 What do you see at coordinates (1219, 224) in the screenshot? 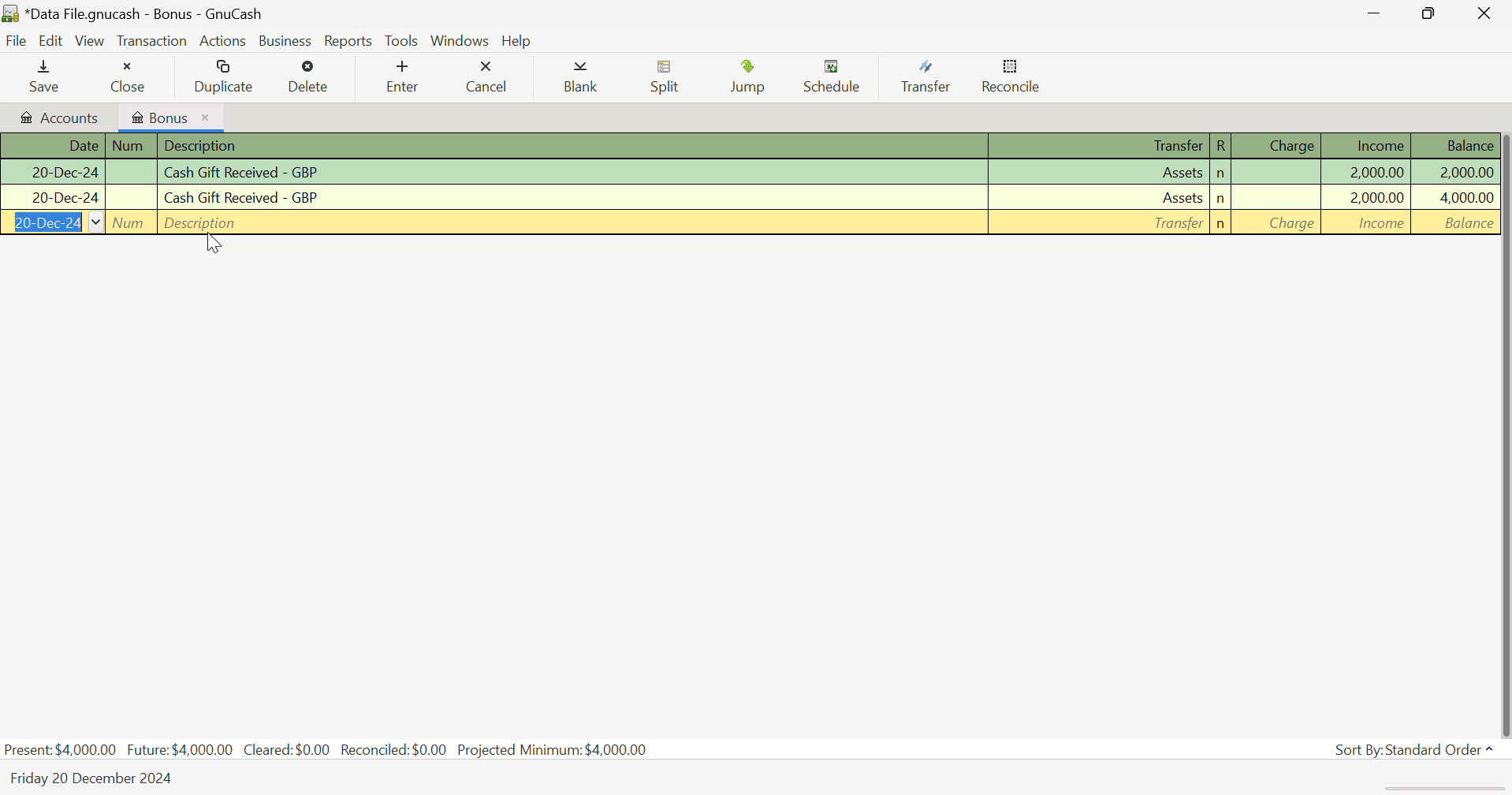
I see `n` at bounding box center [1219, 224].